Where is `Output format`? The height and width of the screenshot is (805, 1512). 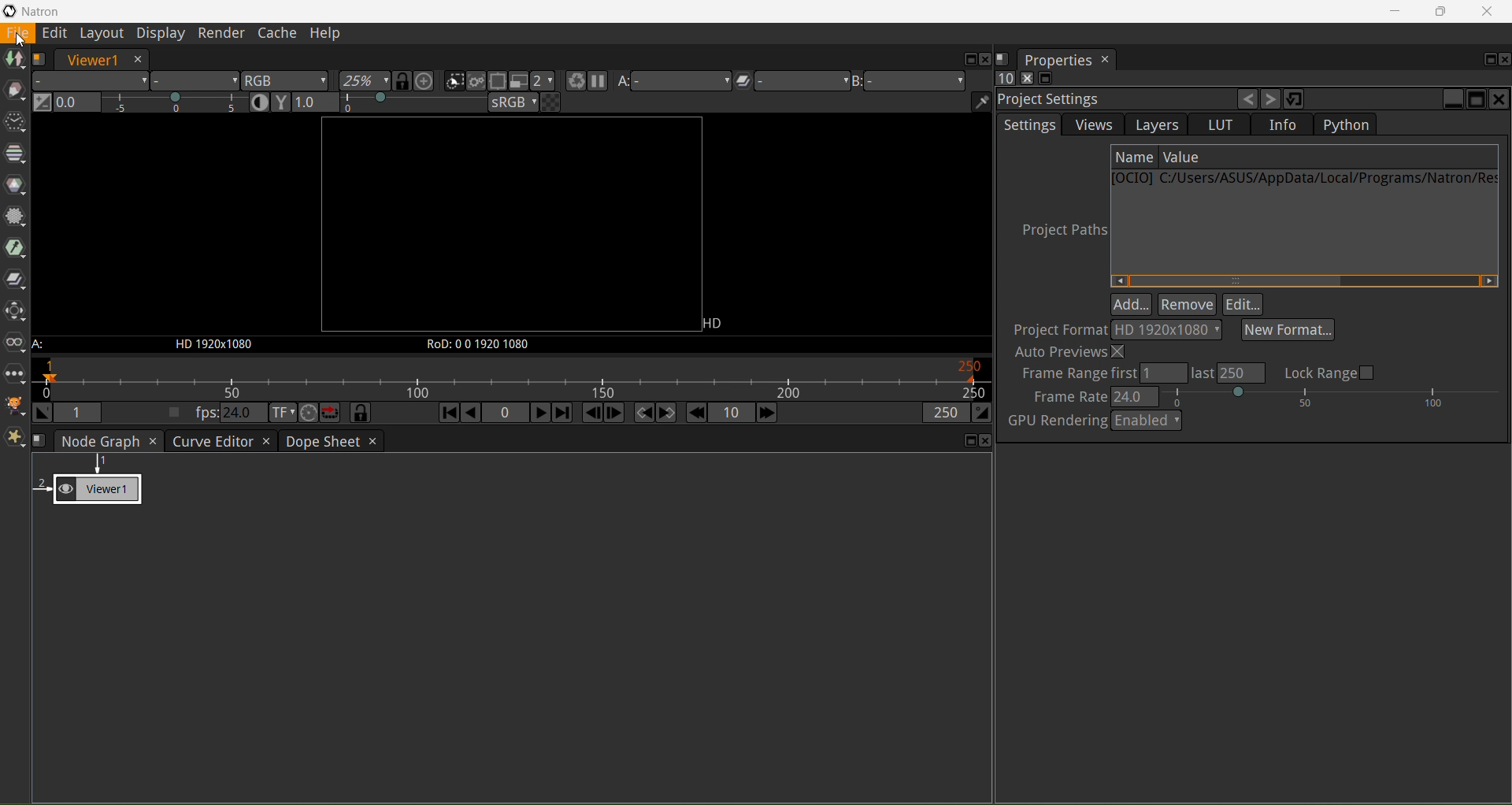
Output format is located at coordinates (1168, 329).